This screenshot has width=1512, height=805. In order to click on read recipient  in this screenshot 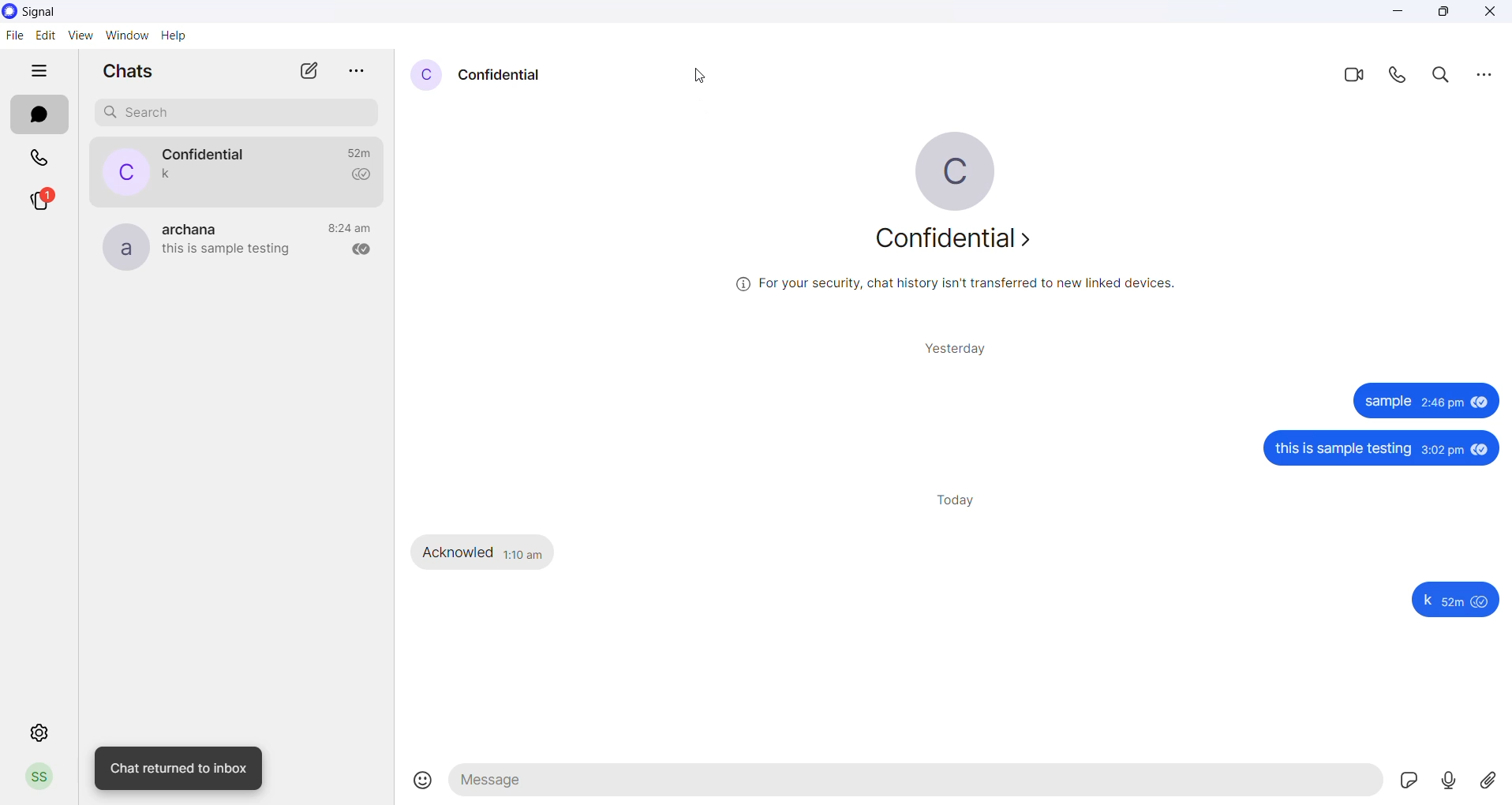, I will do `click(365, 251)`.